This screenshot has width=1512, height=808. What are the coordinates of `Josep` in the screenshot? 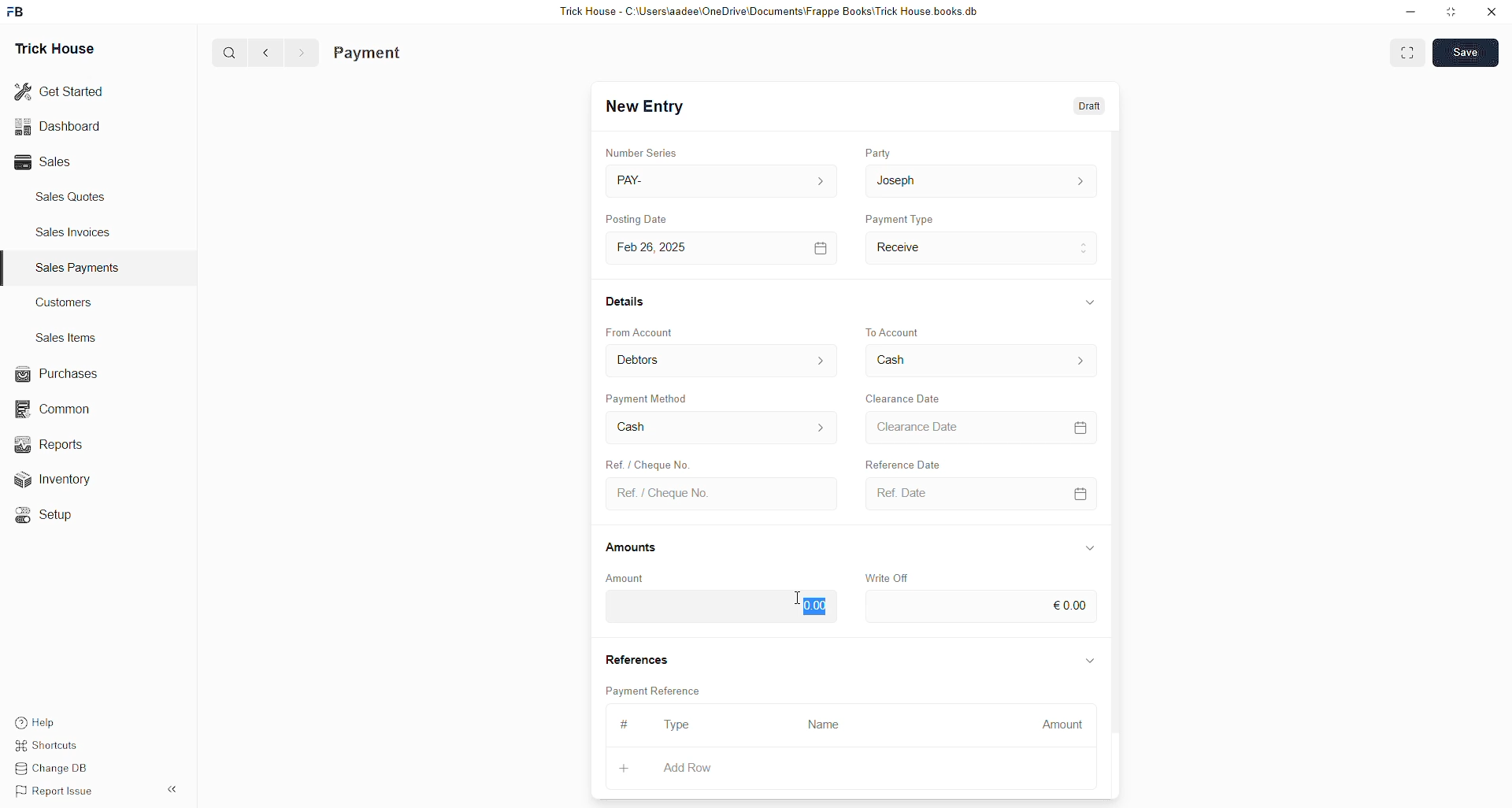 It's located at (980, 180).